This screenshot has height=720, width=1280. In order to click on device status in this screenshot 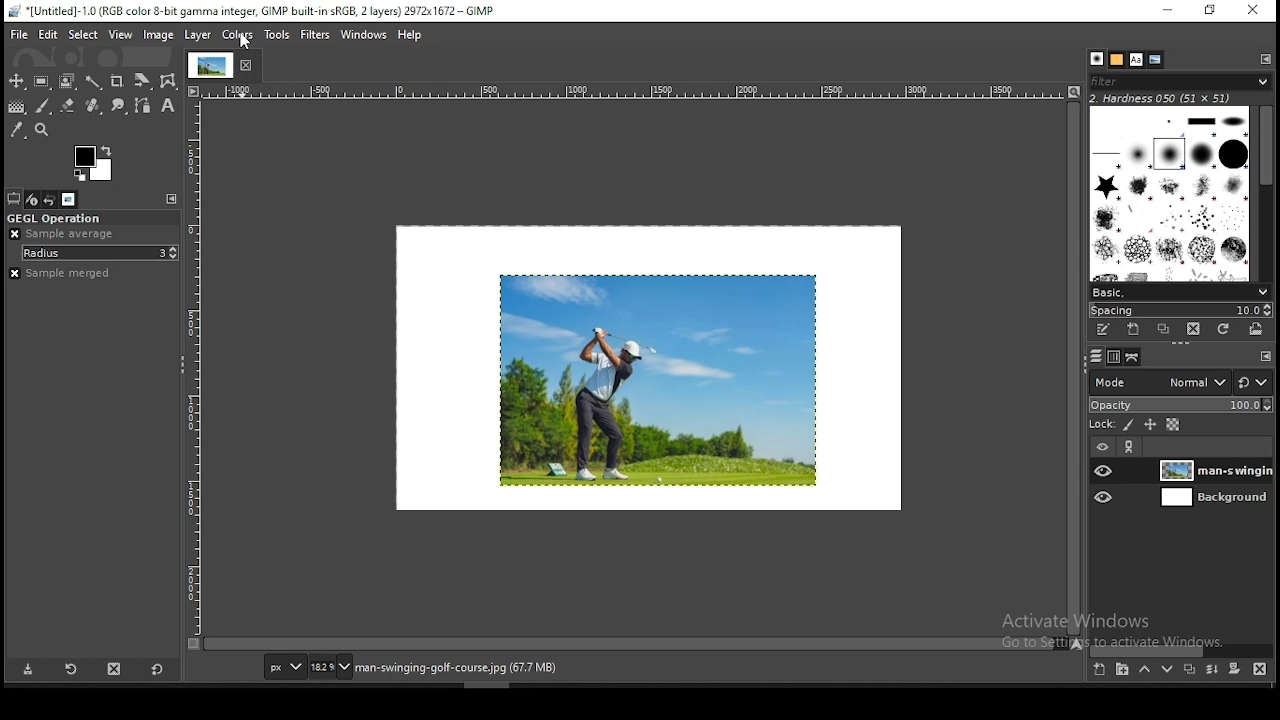, I will do `click(34, 199)`.